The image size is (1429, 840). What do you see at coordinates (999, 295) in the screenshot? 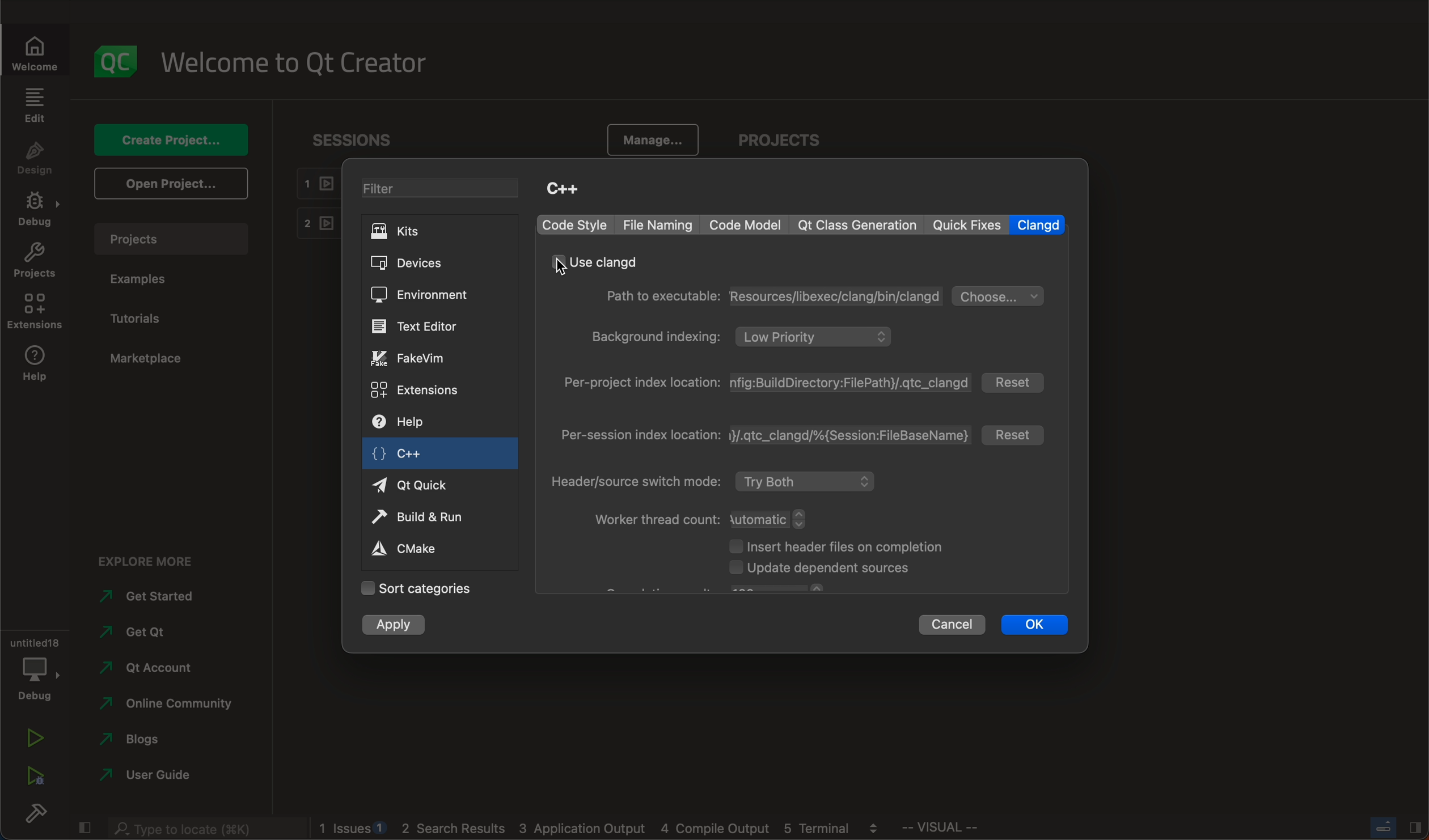
I see `choose` at bounding box center [999, 295].